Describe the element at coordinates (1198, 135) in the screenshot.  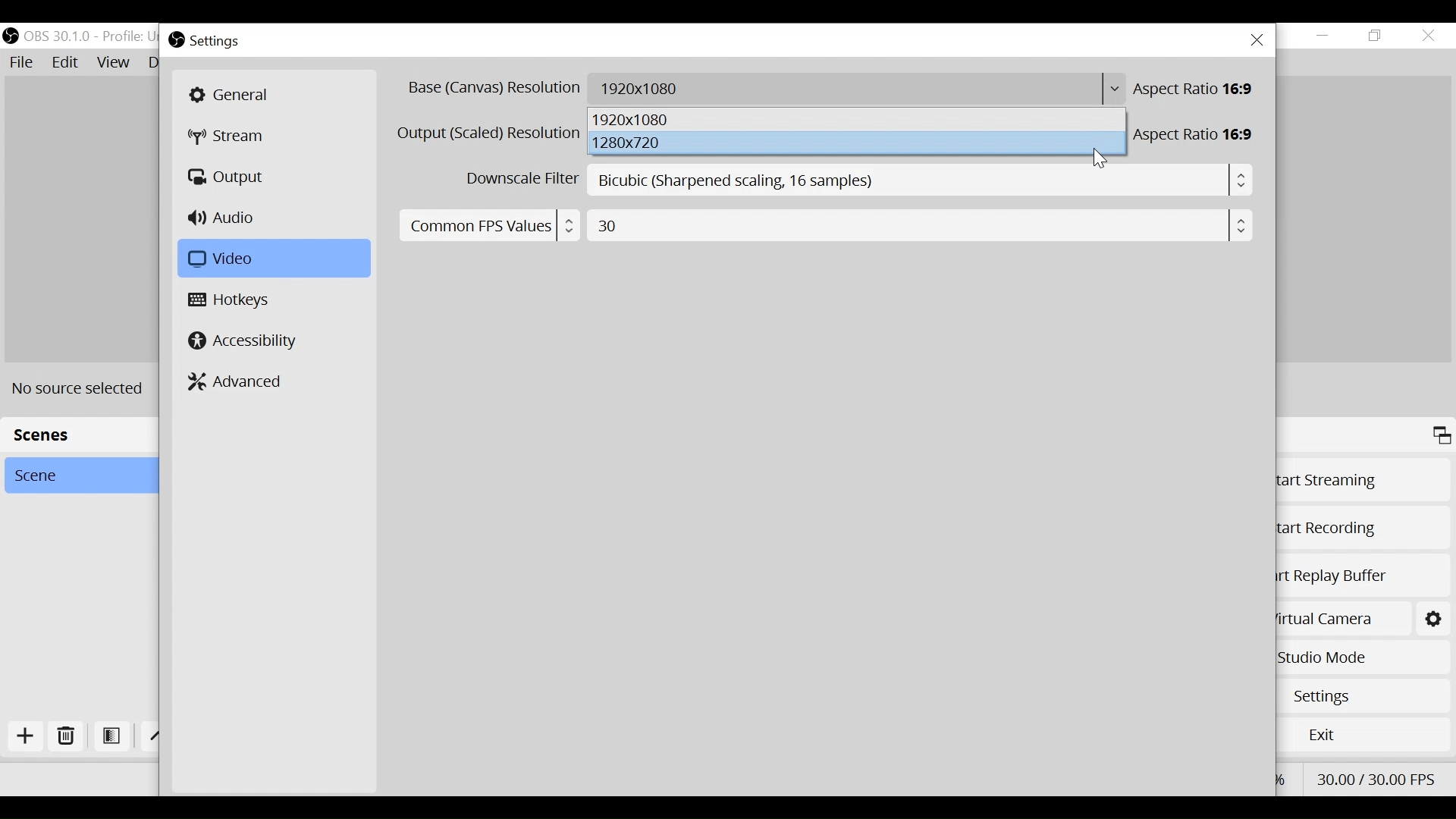
I see `Aspect Ration 16:9` at that location.